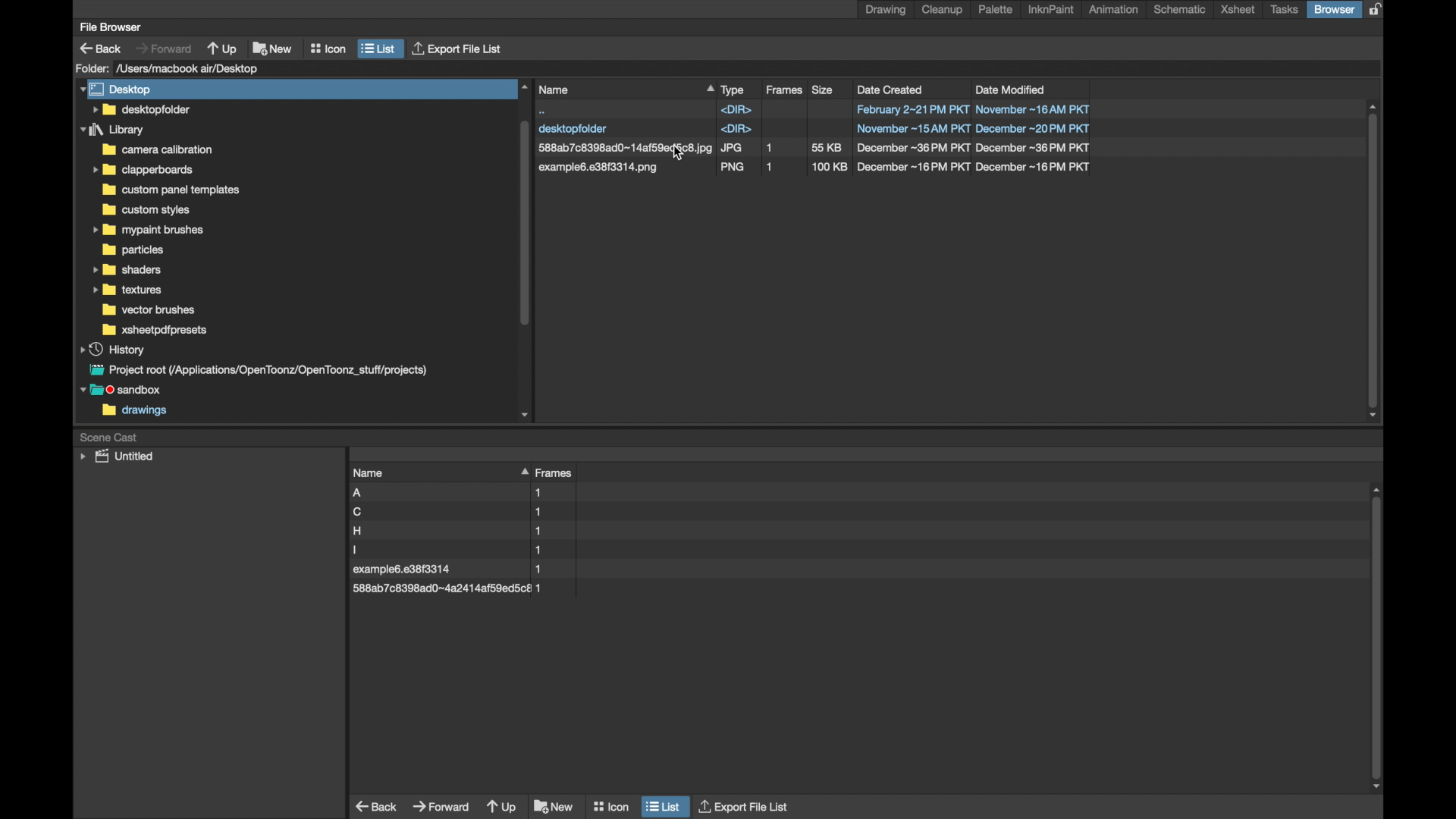 This screenshot has height=819, width=1456. What do you see at coordinates (447, 588) in the screenshot?
I see `file` at bounding box center [447, 588].